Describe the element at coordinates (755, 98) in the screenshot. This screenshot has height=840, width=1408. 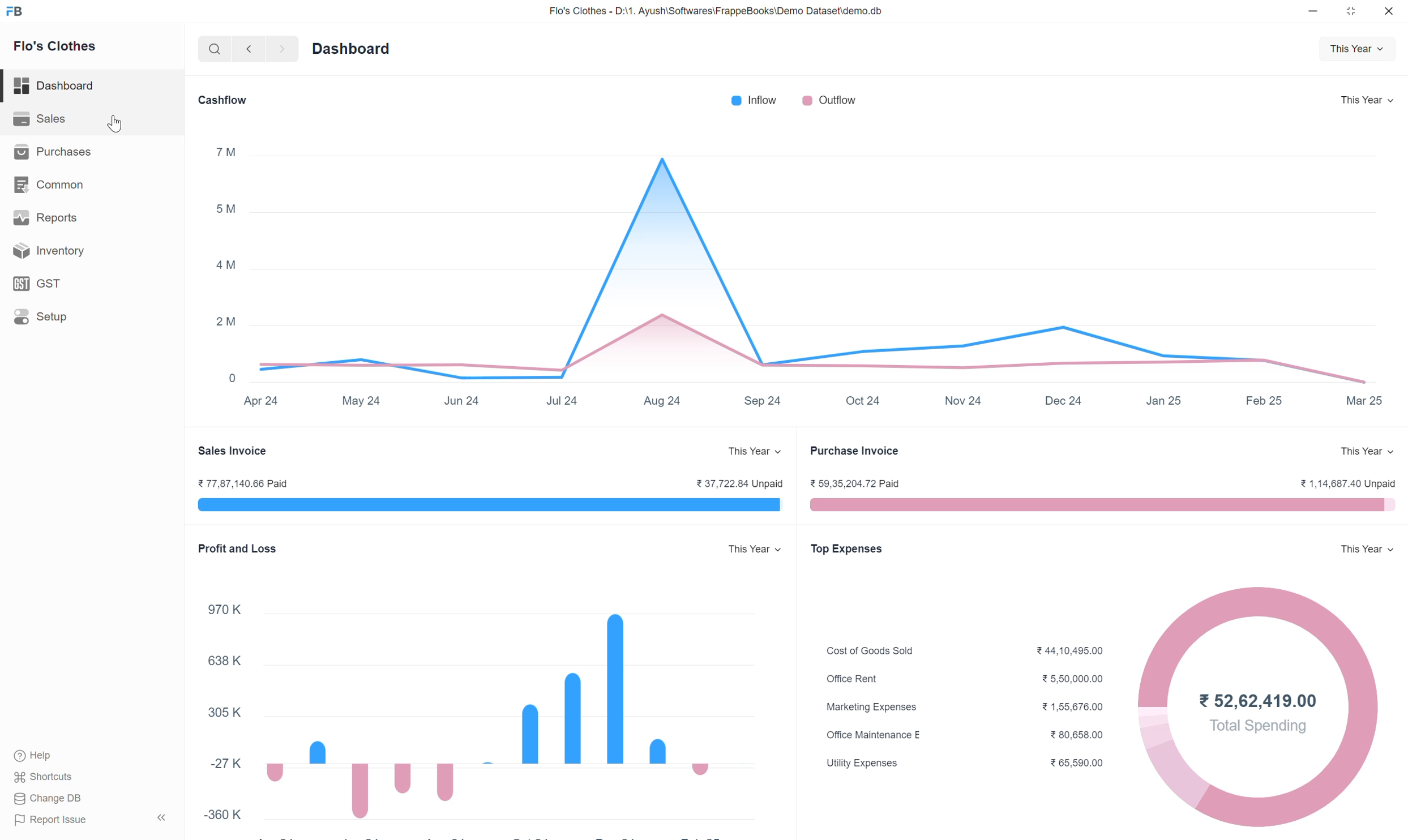
I see `Inflow` at that location.